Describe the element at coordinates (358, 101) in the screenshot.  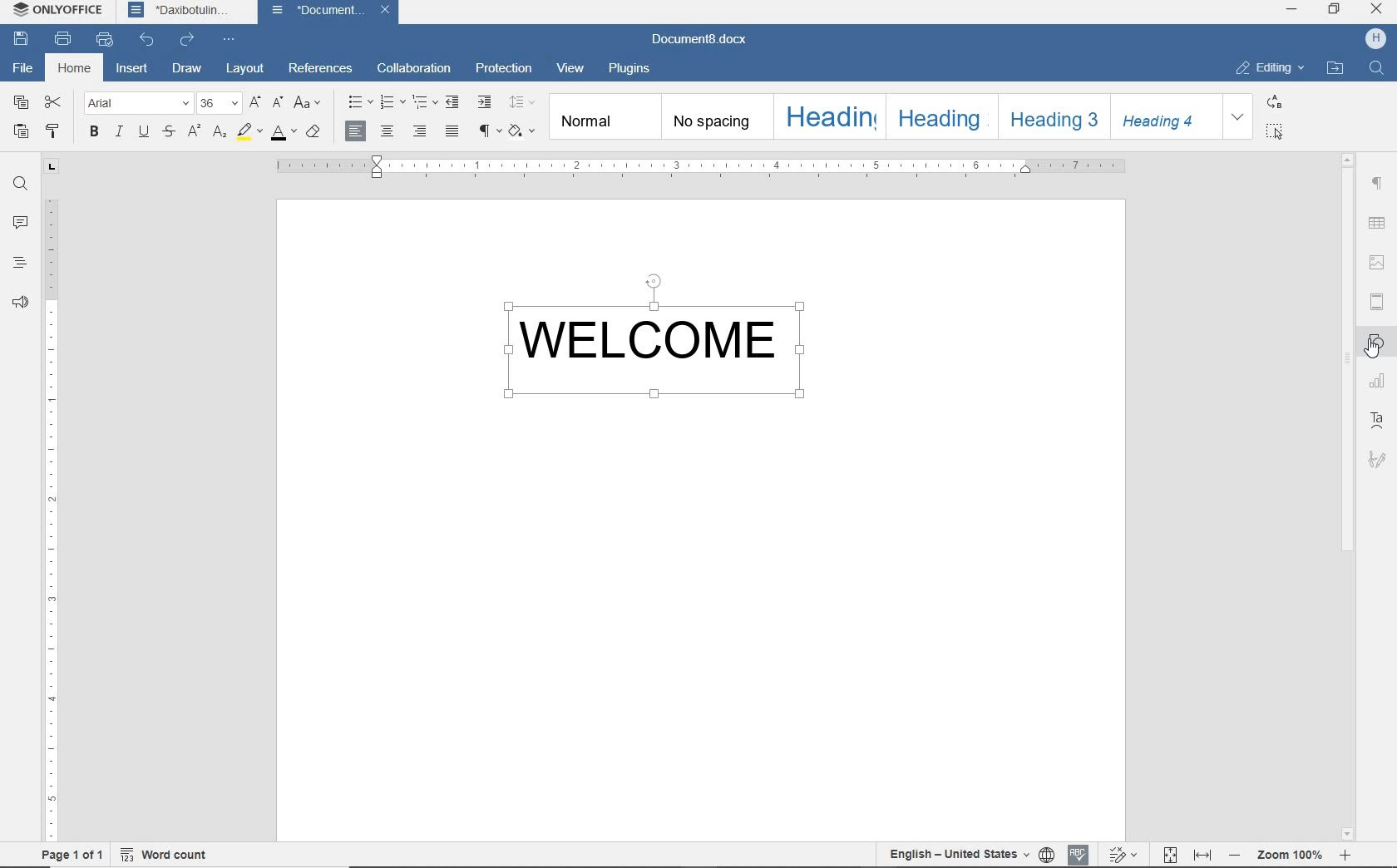
I see `BULLETS` at that location.